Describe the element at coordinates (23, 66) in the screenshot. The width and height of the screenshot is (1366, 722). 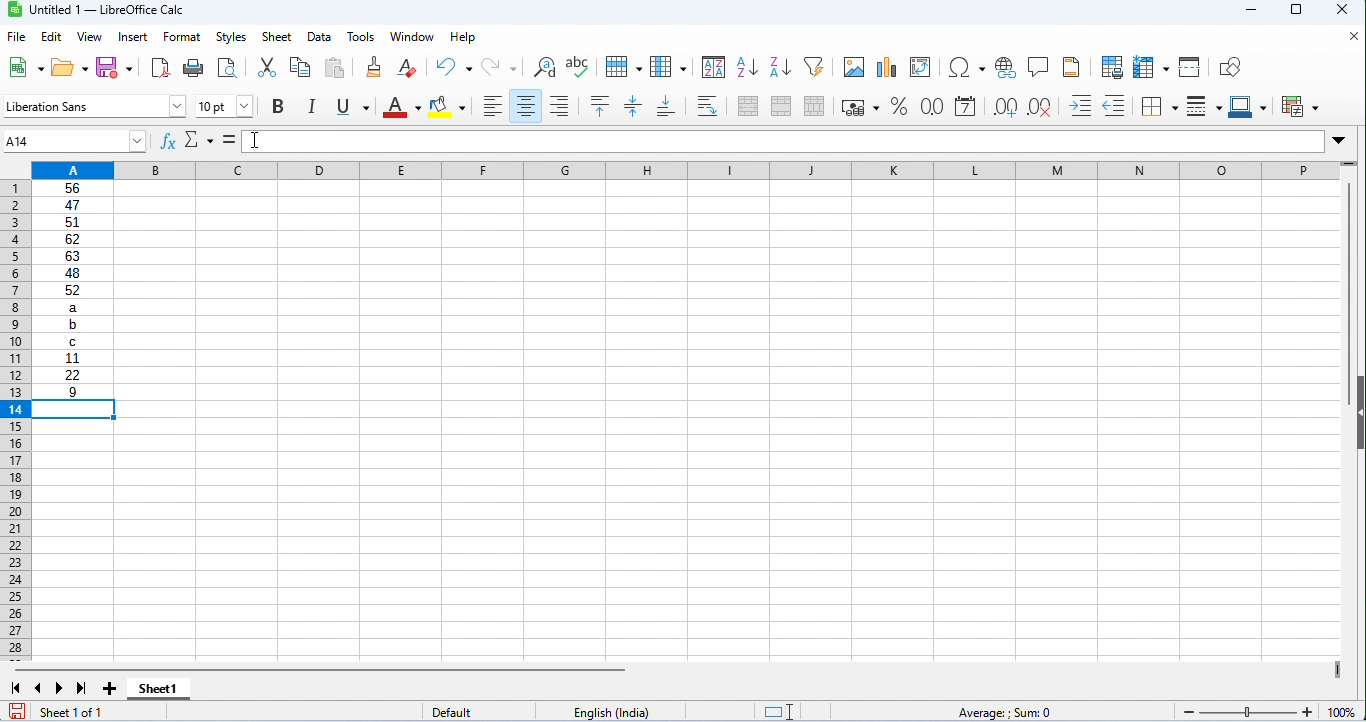
I see `new` at that location.